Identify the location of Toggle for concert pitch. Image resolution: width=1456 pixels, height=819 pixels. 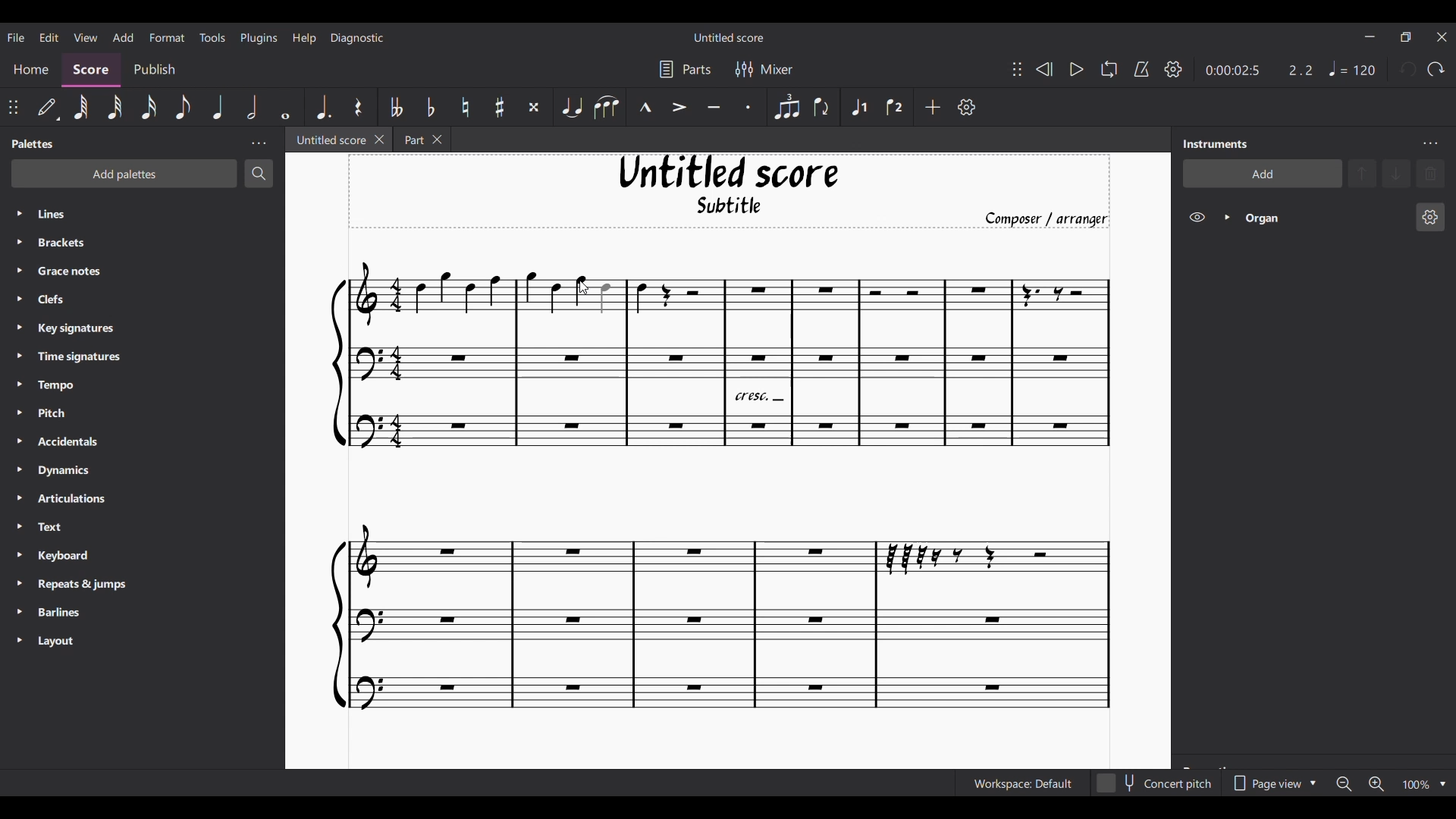
(1155, 783).